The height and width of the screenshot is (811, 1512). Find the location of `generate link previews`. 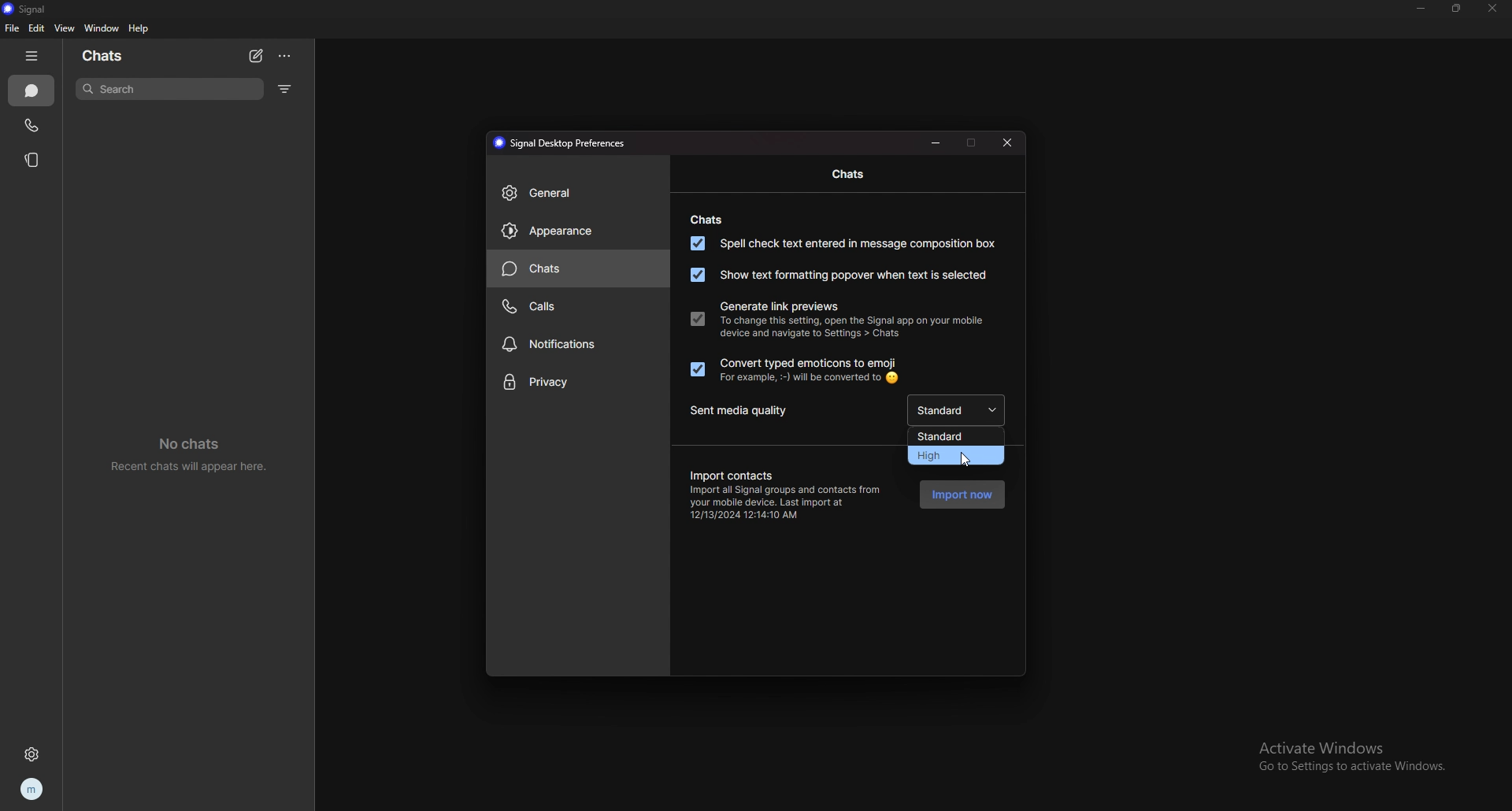

generate link previews is located at coordinates (697, 317).